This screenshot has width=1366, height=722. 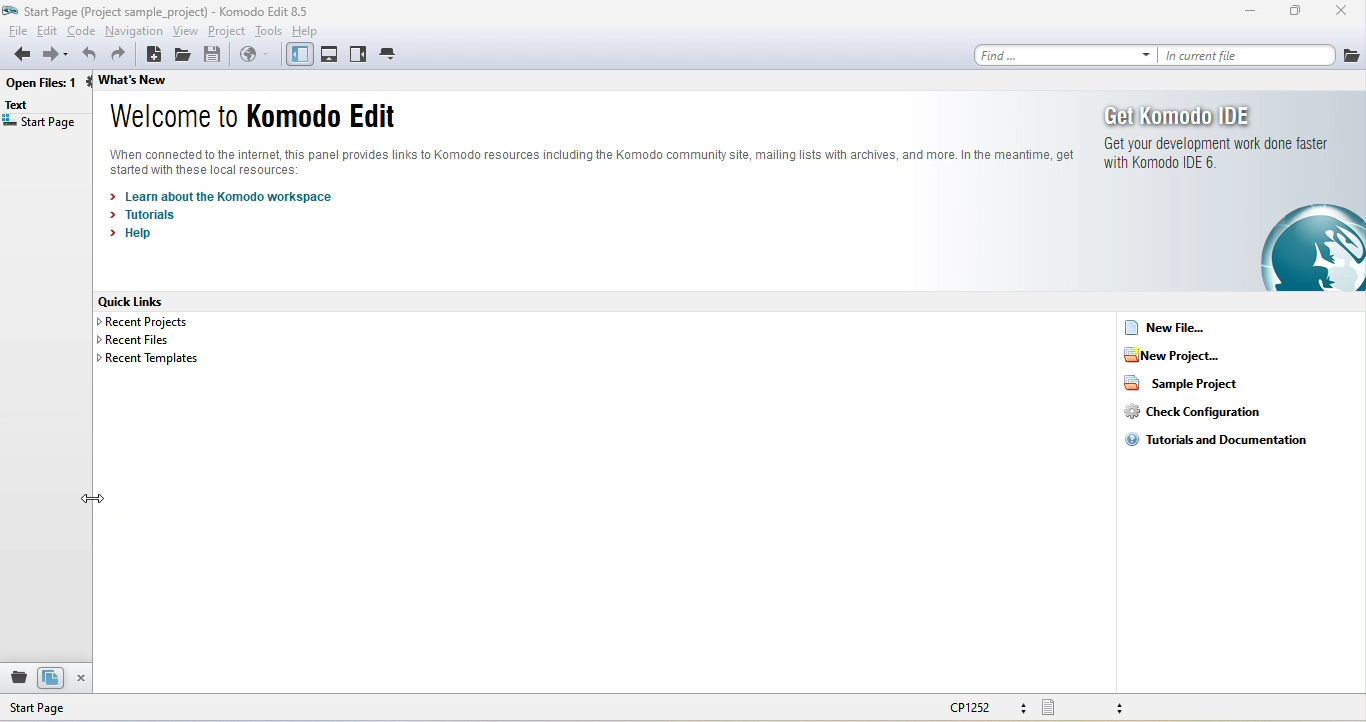 What do you see at coordinates (331, 55) in the screenshot?
I see `bottom pane` at bounding box center [331, 55].